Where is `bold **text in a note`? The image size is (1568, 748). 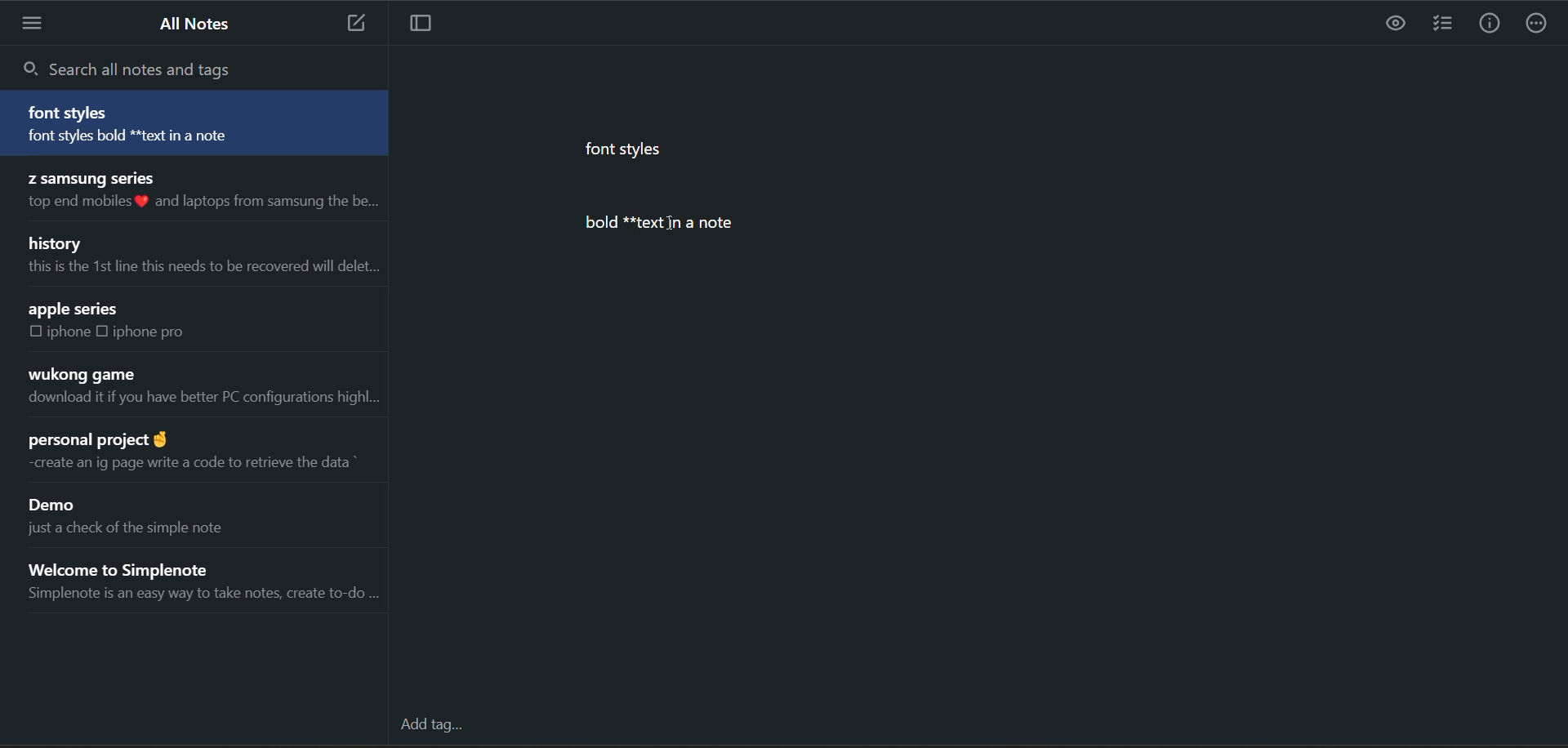 bold **text in a note is located at coordinates (672, 221).